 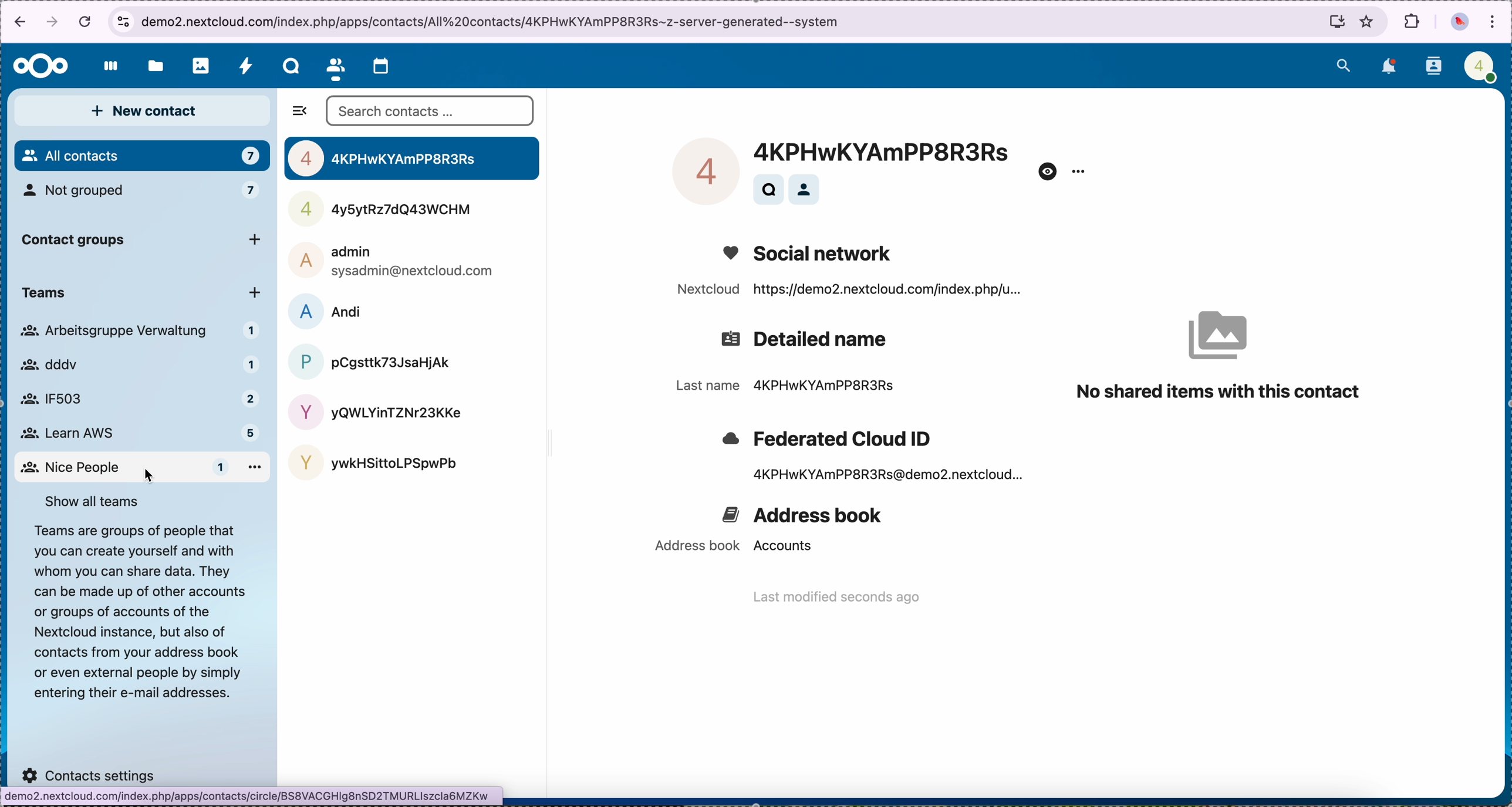 I want to click on contact groups, so click(x=144, y=241).